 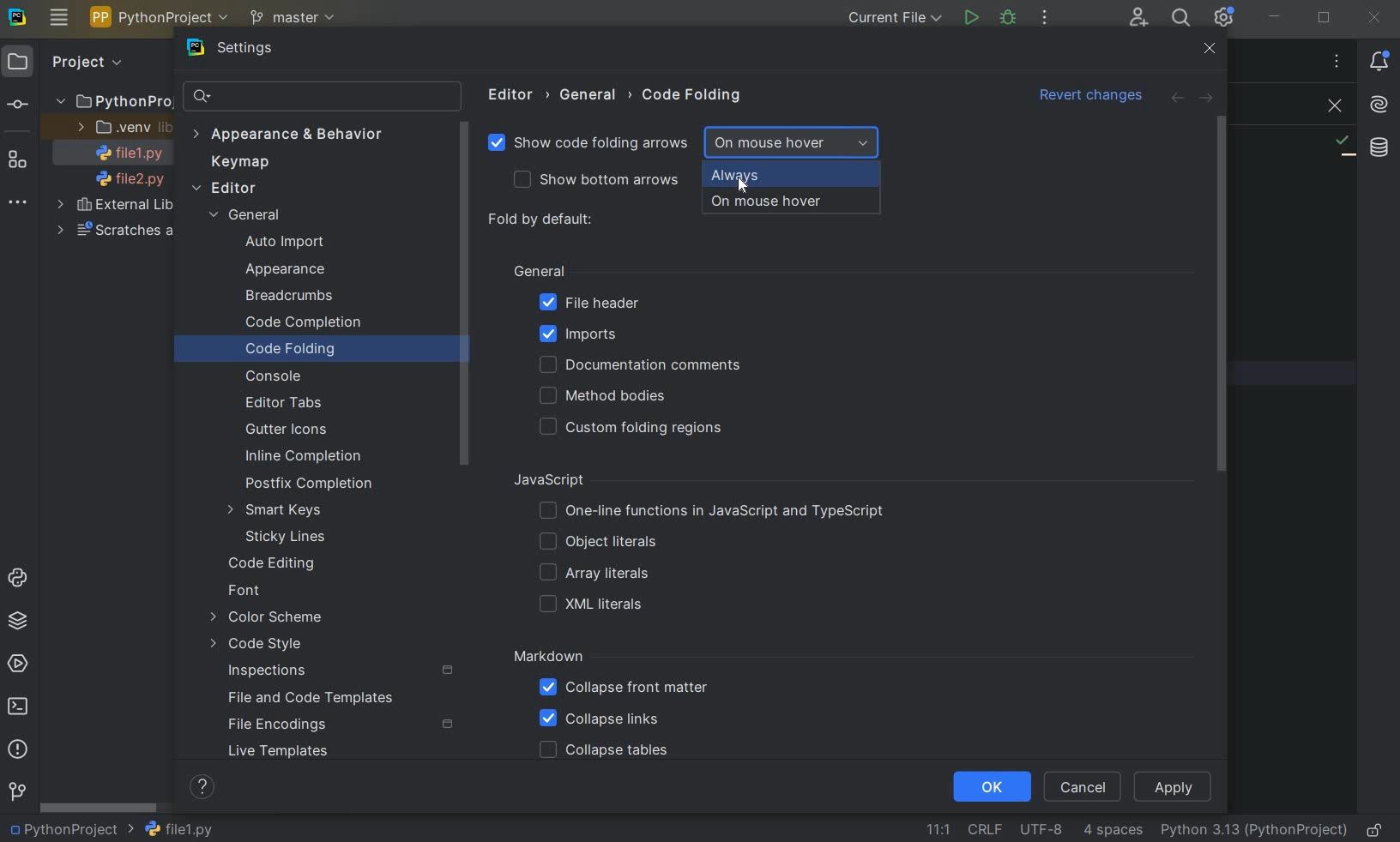 What do you see at coordinates (1378, 830) in the screenshot?
I see `MAKE FILE READY ONLY` at bounding box center [1378, 830].